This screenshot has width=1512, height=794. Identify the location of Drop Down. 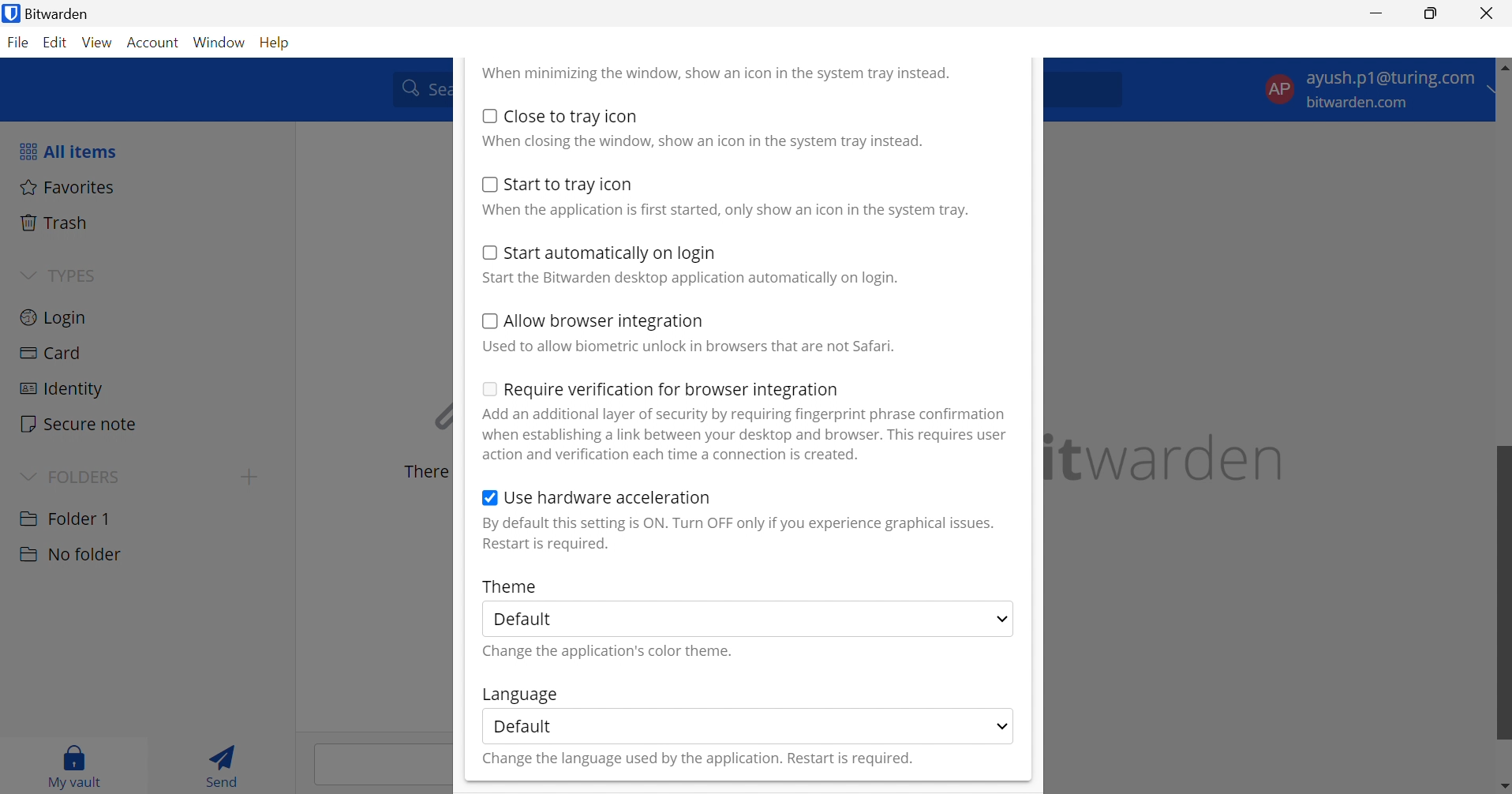
(1003, 725).